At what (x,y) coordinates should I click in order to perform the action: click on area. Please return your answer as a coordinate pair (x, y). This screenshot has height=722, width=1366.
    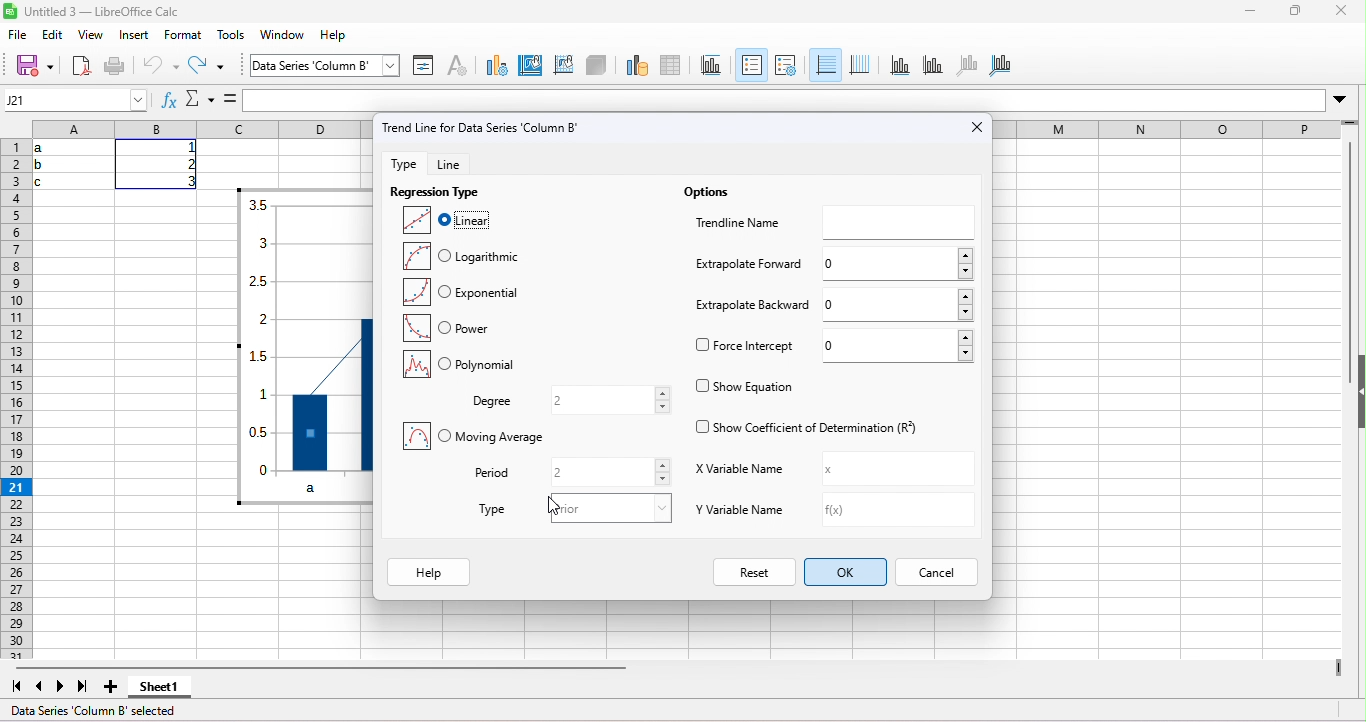
    Looking at the image, I should click on (531, 67).